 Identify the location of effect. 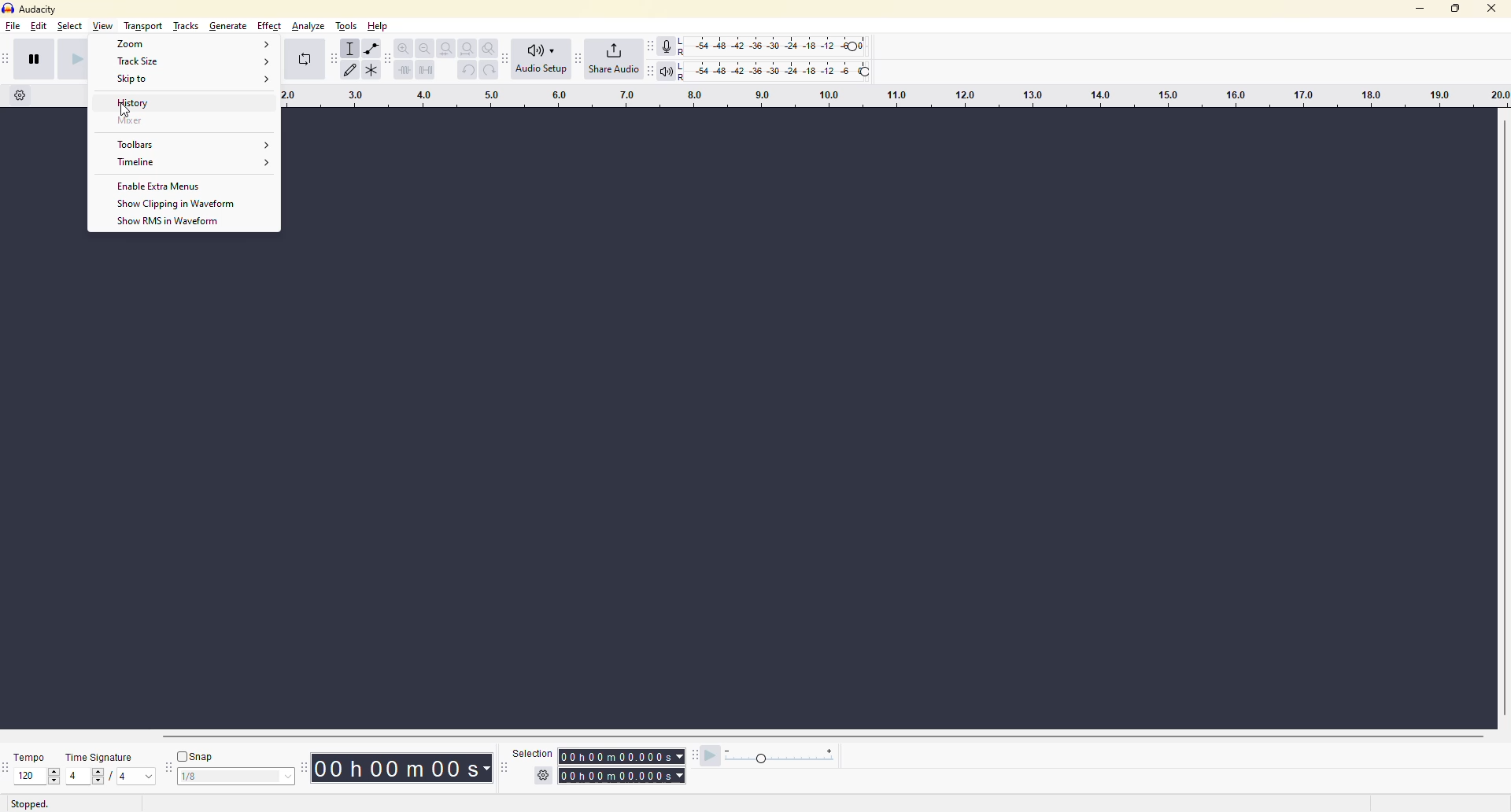
(268, 27).